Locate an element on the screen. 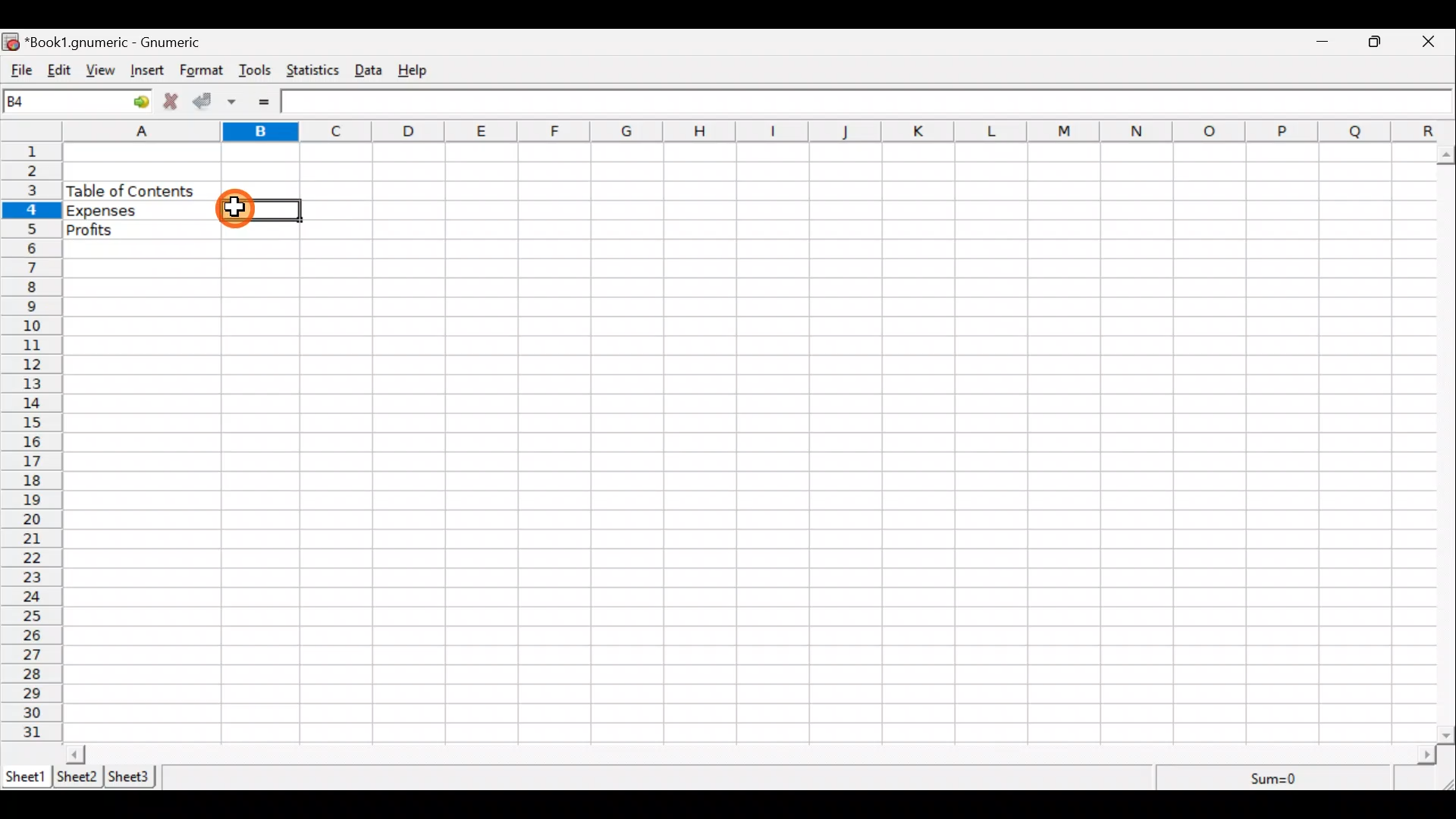 This screenshot has width=1456, height=819. scroll right is located at coordinates (1426, 755).